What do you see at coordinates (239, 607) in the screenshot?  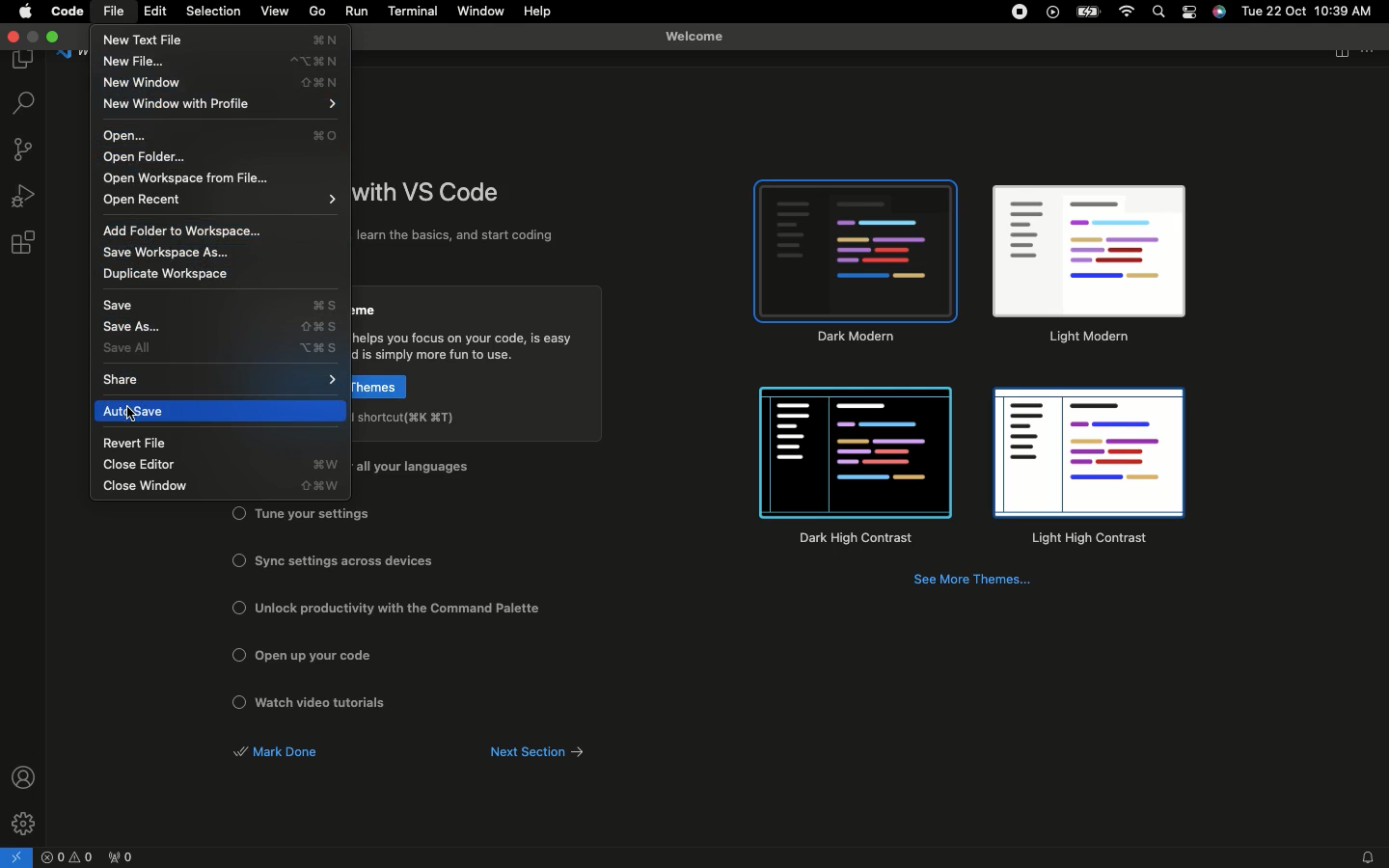 I see `Checkbox` at bounding box center [239, 607].